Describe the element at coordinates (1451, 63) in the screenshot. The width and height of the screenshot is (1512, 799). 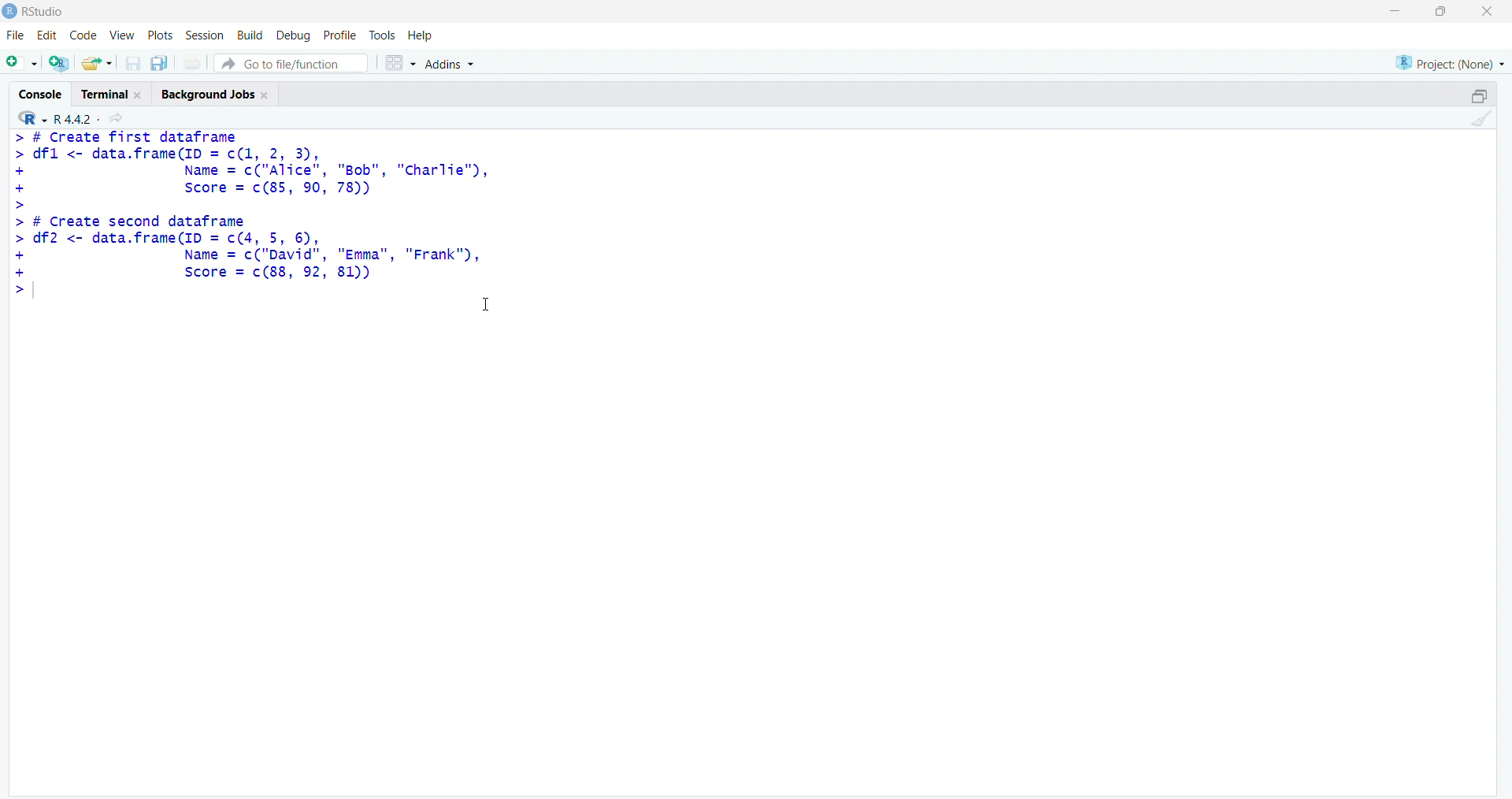
I see `Project: (None)` at that location.